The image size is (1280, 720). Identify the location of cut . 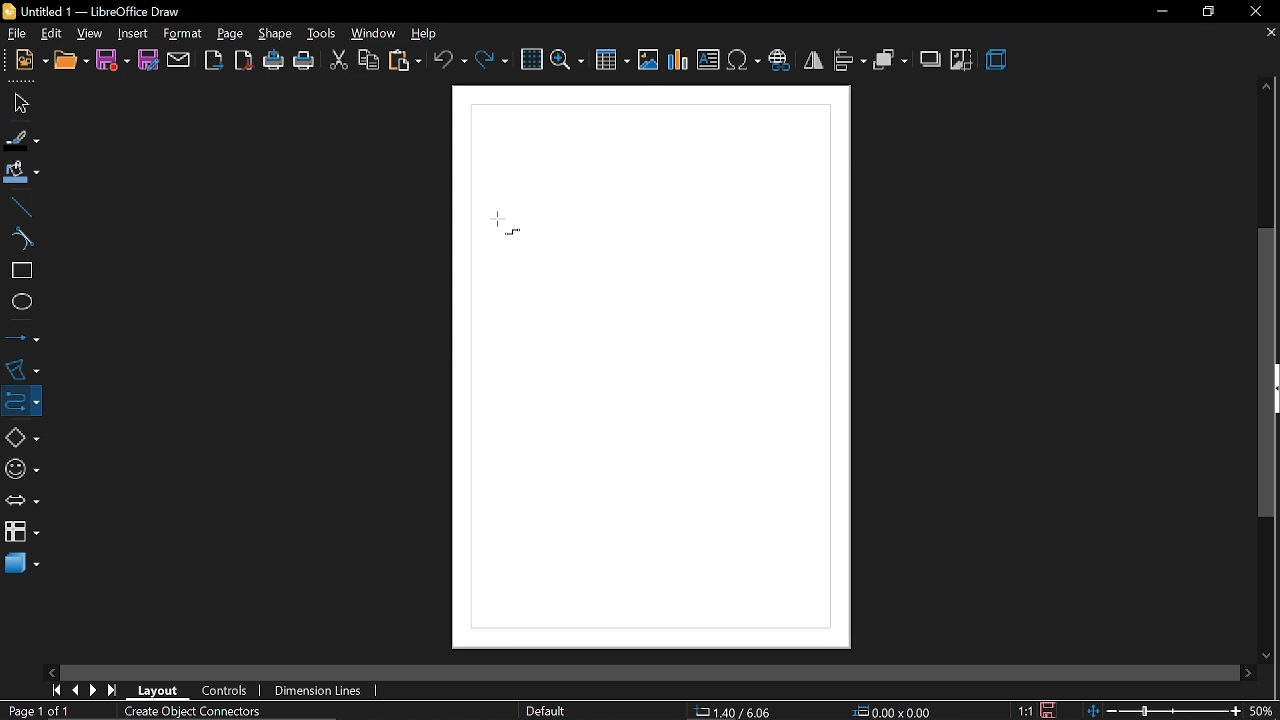
(337, 62).